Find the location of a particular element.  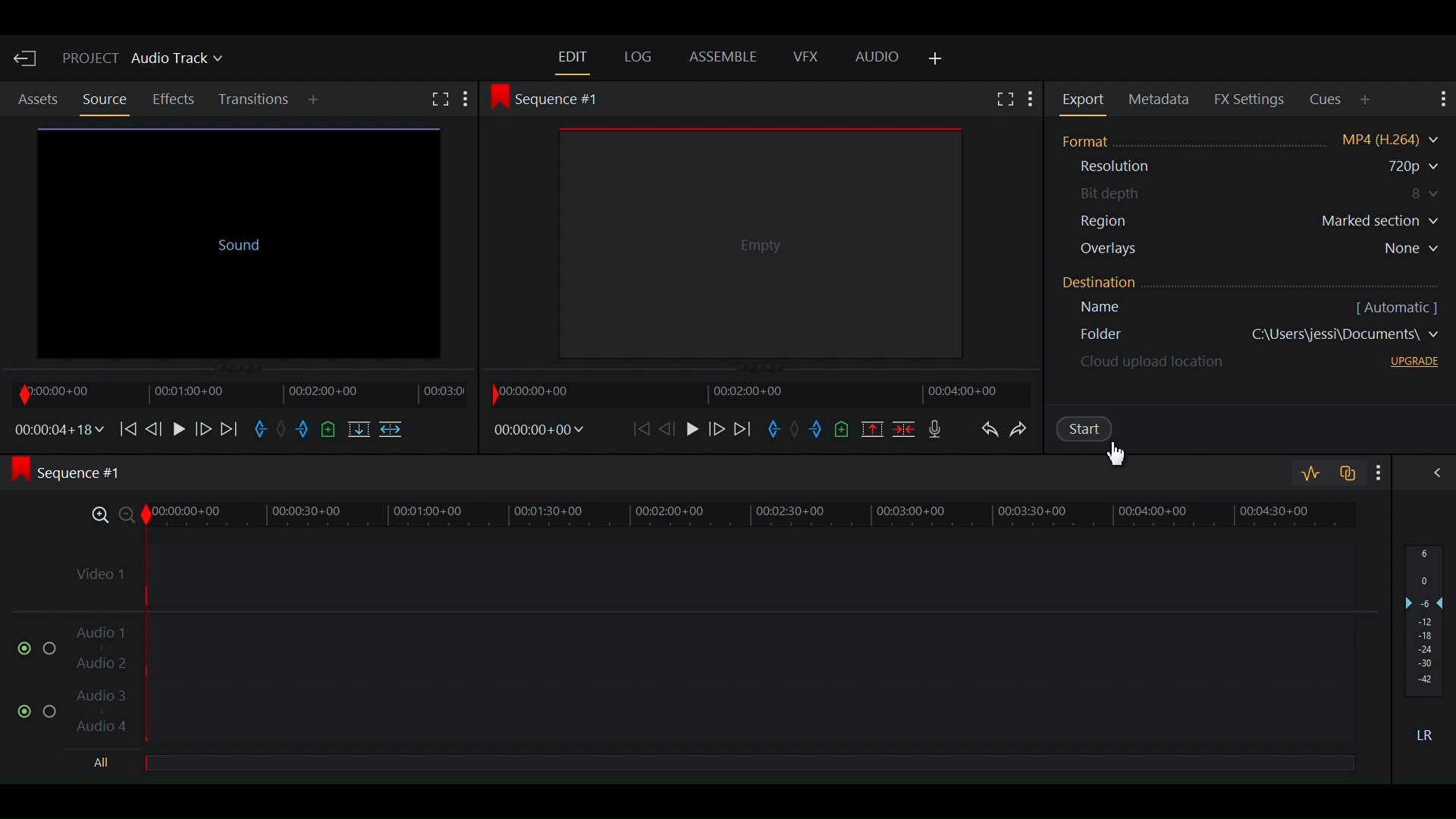

Show/Change current project details is located at coordinates (144, 61).